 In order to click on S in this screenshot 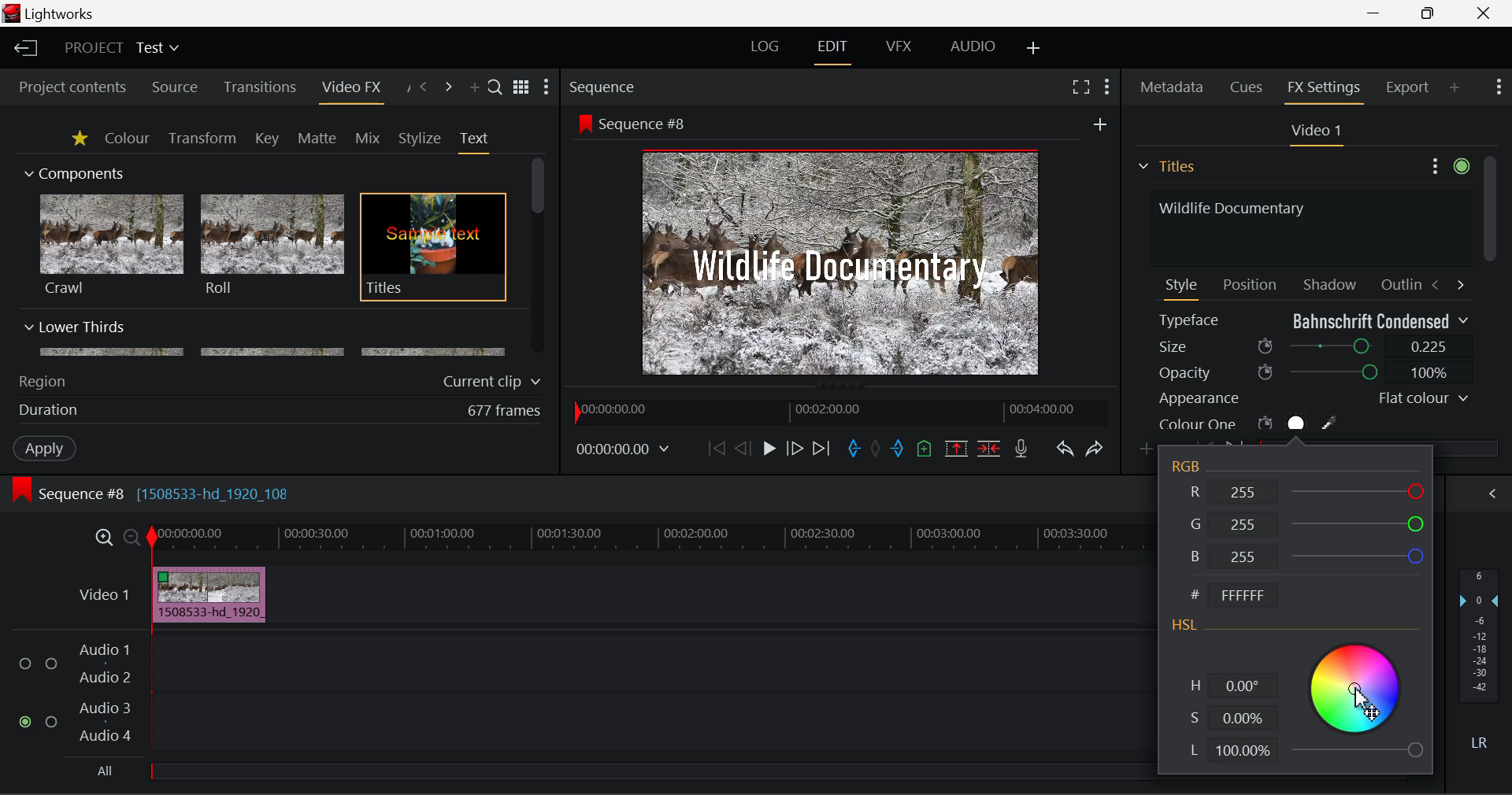, I will do `click(1229, 719)`.